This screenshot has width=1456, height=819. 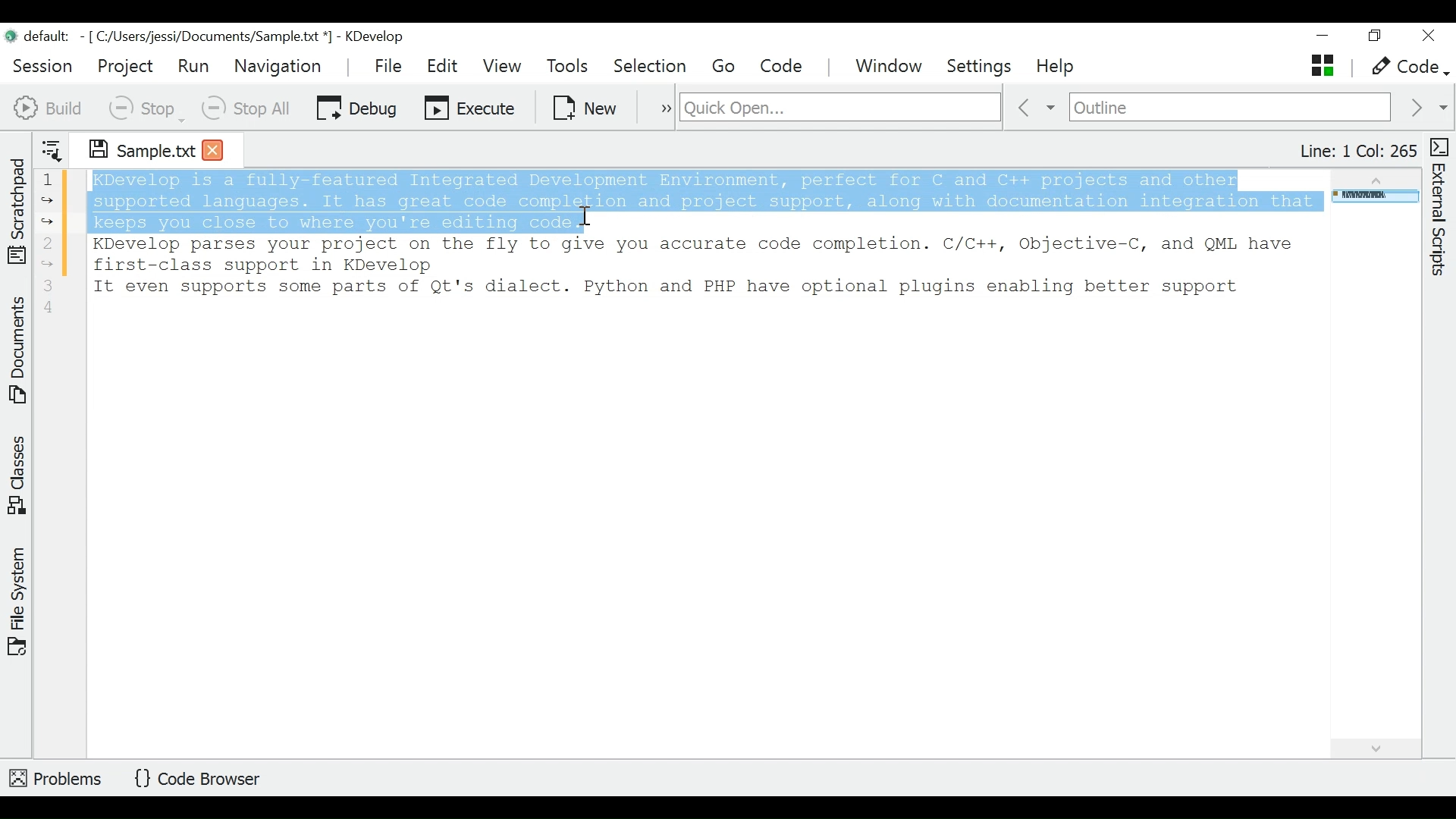 I want to click on External Scripts, so click(x=1442, y=208).